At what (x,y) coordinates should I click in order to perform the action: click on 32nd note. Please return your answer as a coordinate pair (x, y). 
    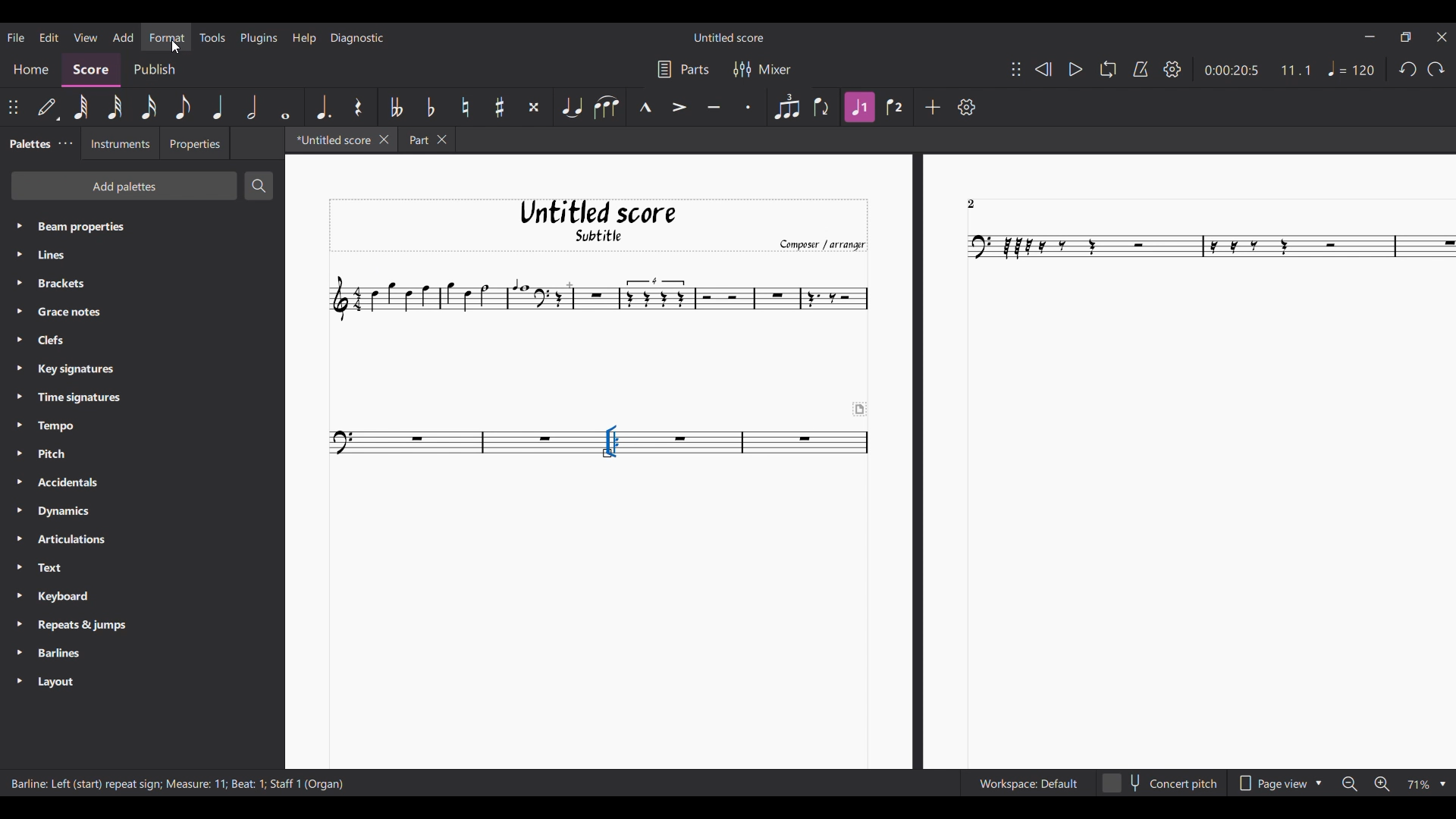
    Looking at the image, I should click on (115, 108).